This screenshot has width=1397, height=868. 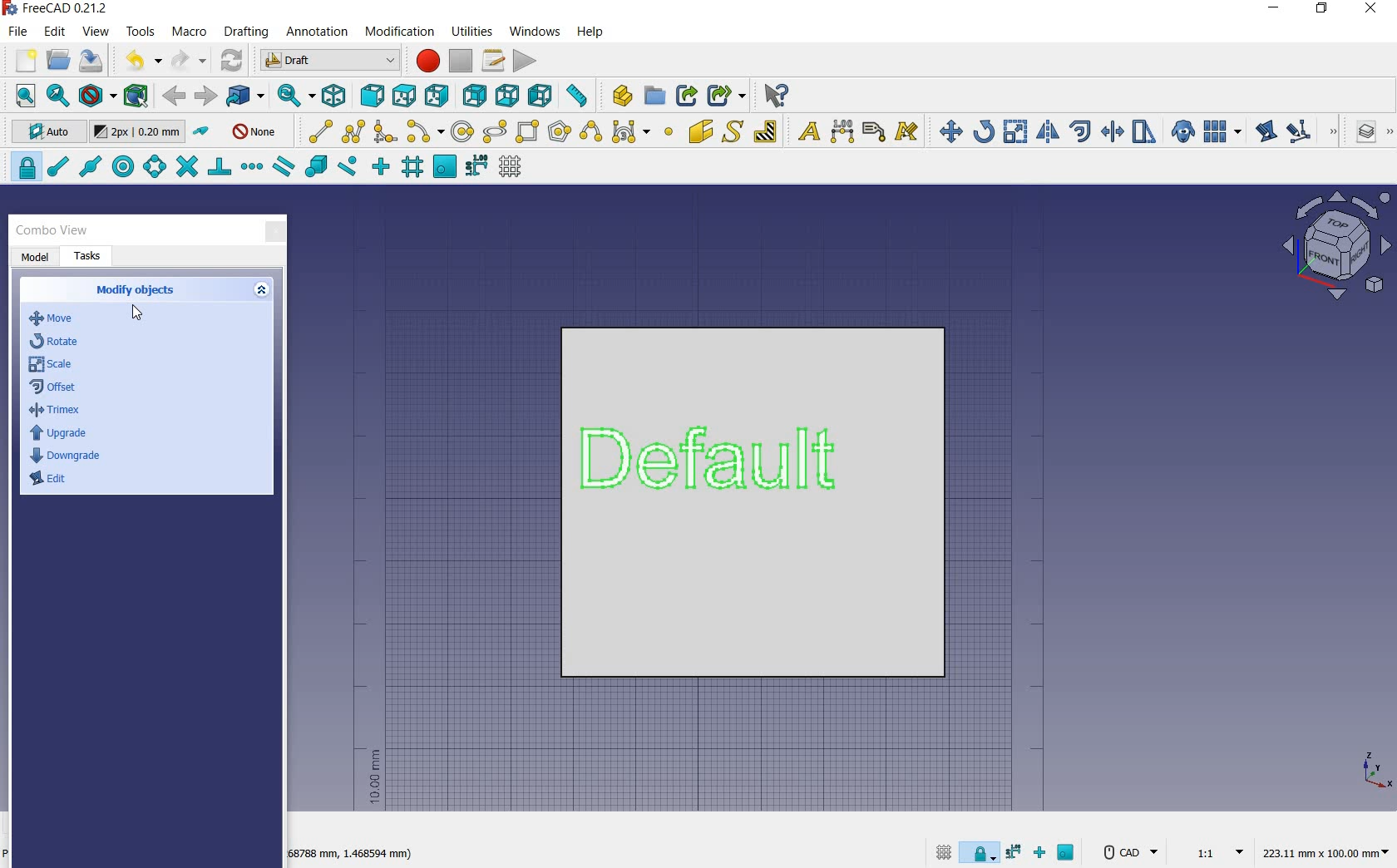 I want to click on bounding box, so click(x=137, y=97).